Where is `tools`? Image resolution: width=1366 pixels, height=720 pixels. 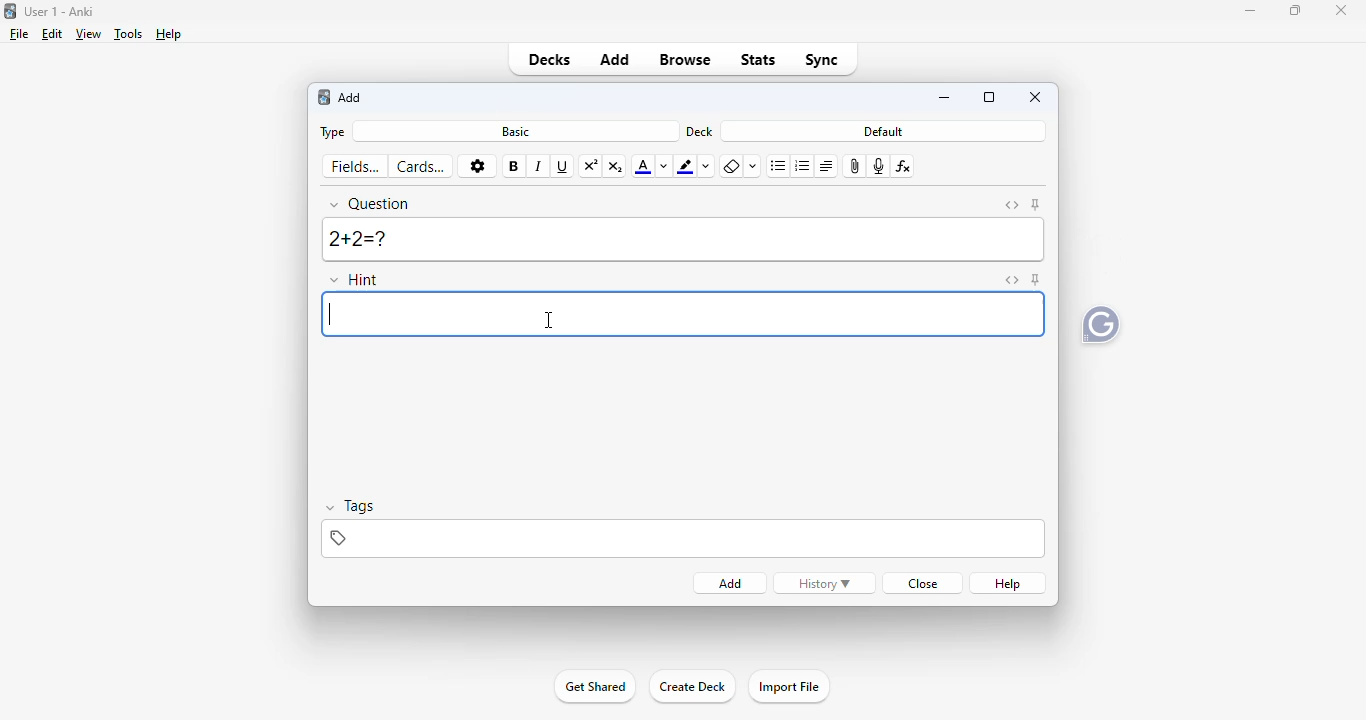 tools is located at coordinates (129, 34).